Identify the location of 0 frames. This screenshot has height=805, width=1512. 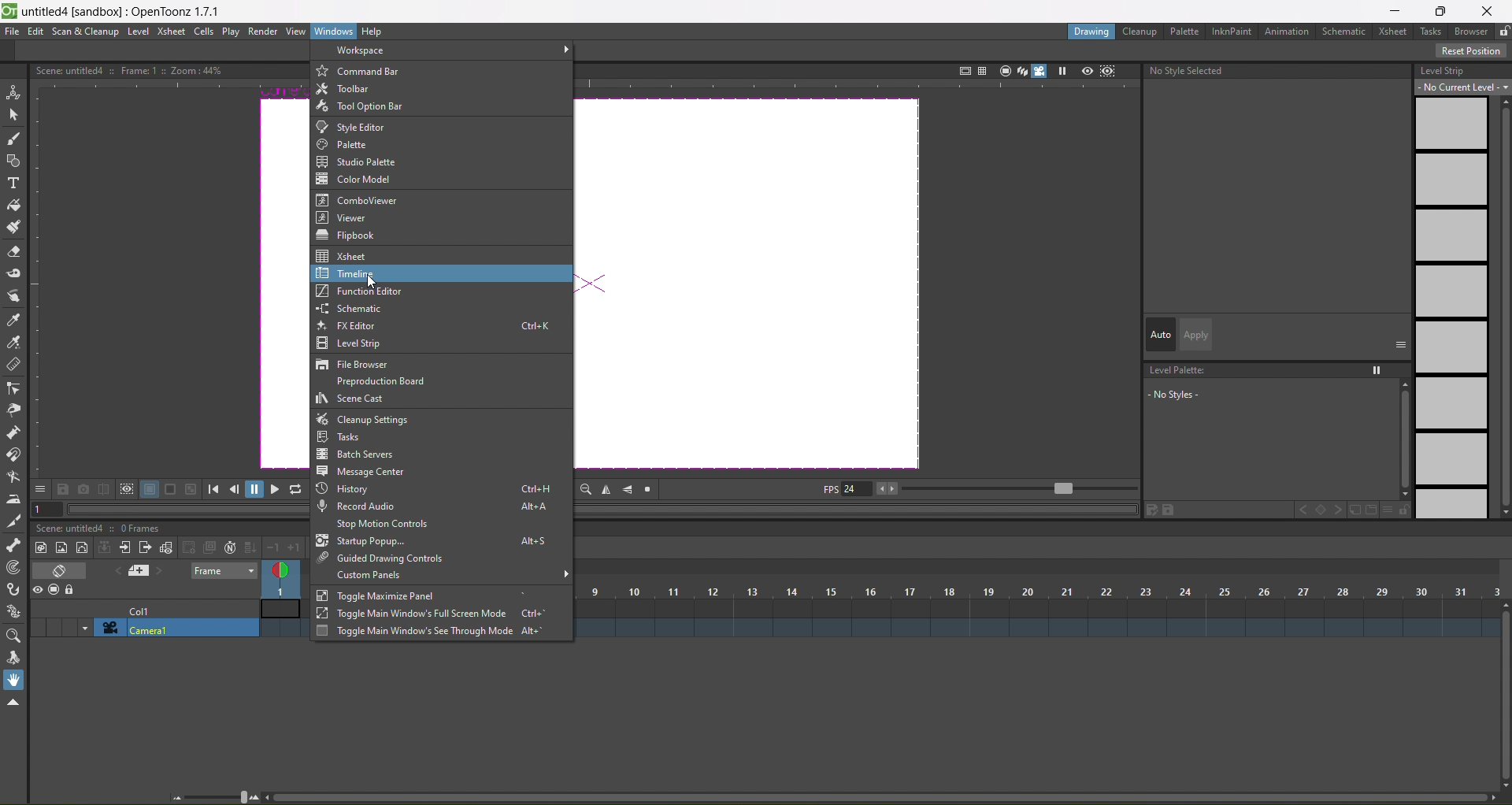
(145, 529).